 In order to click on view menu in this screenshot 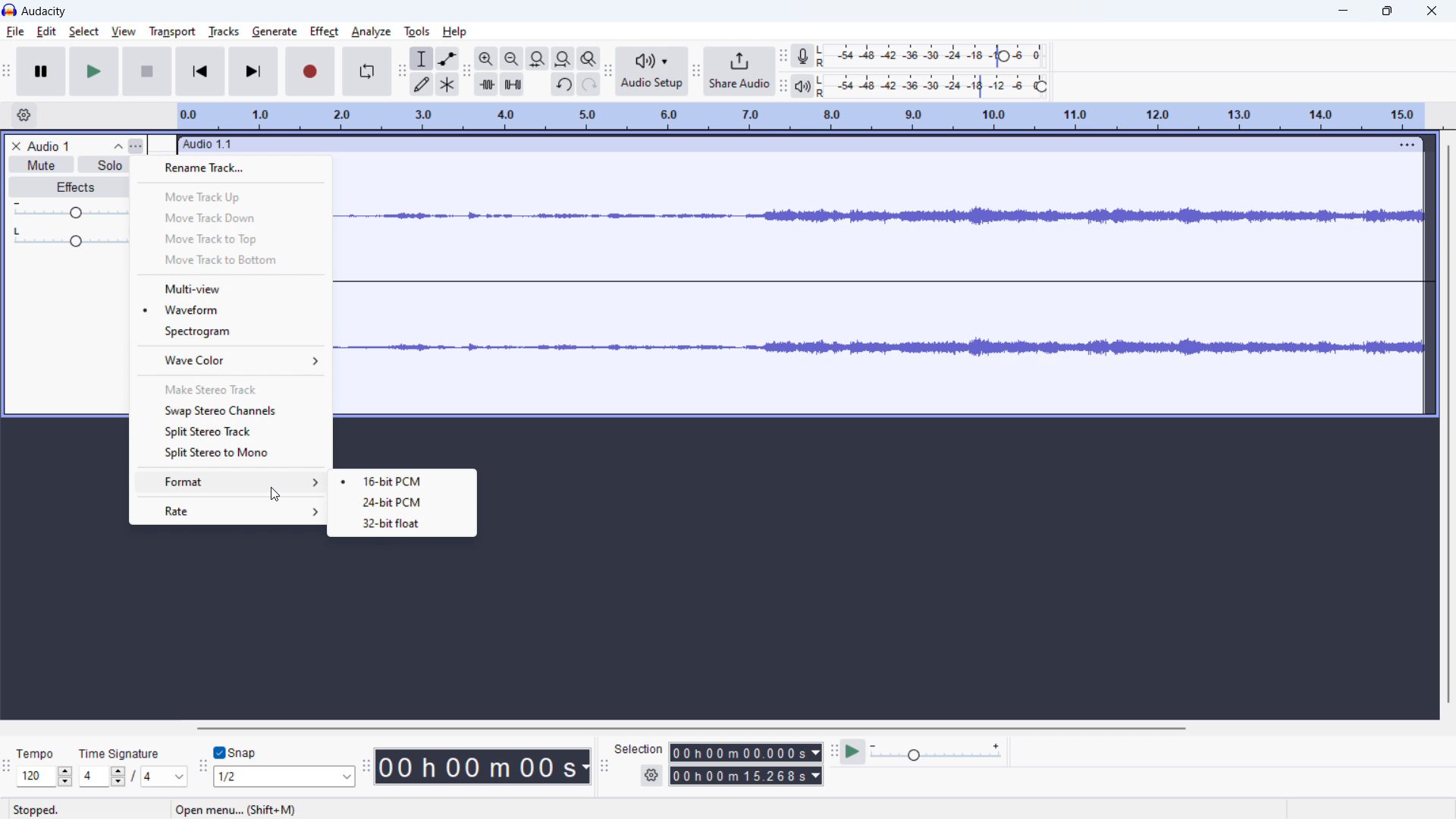, I will do `click(136, 146)`.